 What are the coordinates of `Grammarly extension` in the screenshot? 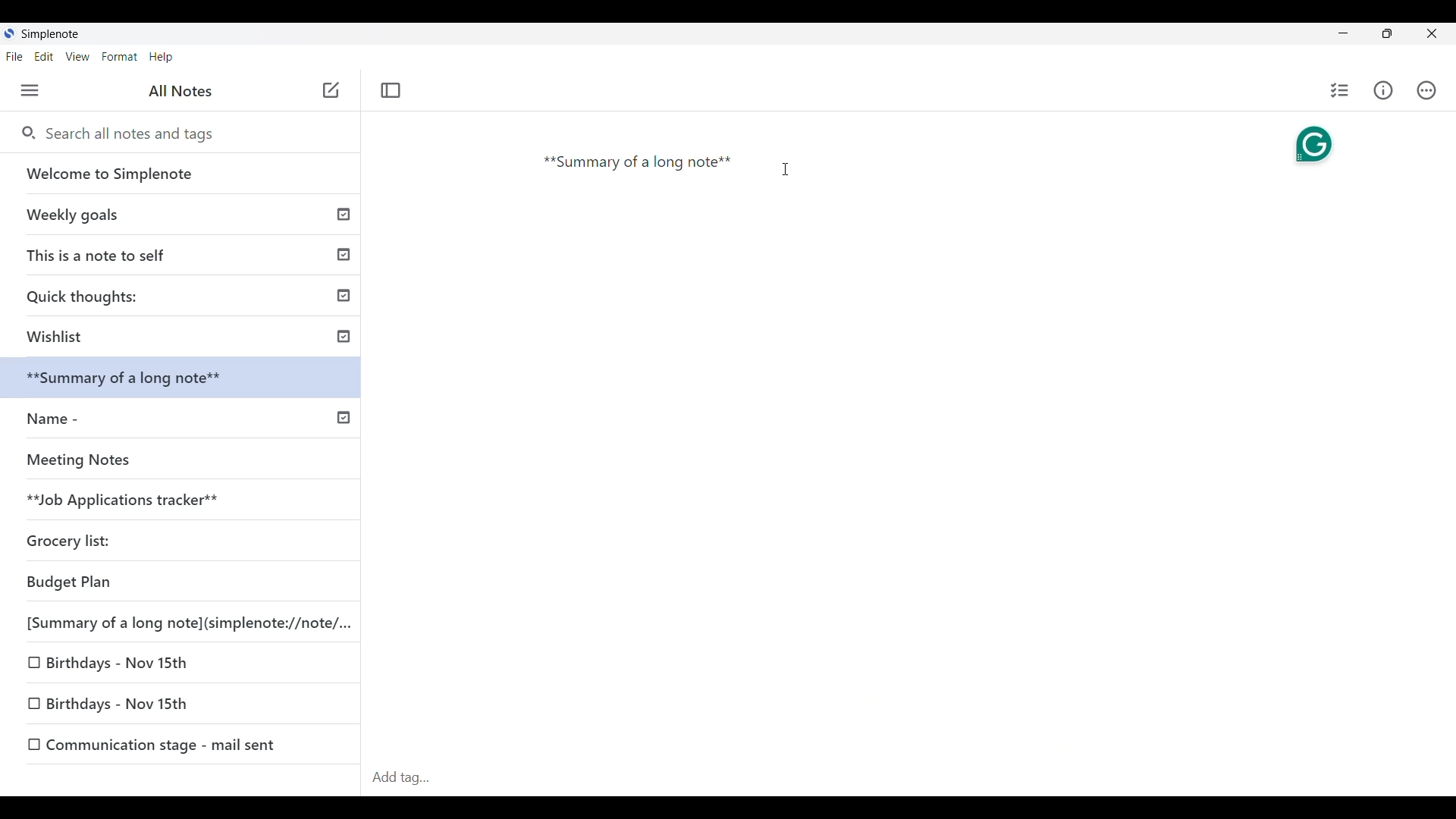 It's located at (1307, 146).